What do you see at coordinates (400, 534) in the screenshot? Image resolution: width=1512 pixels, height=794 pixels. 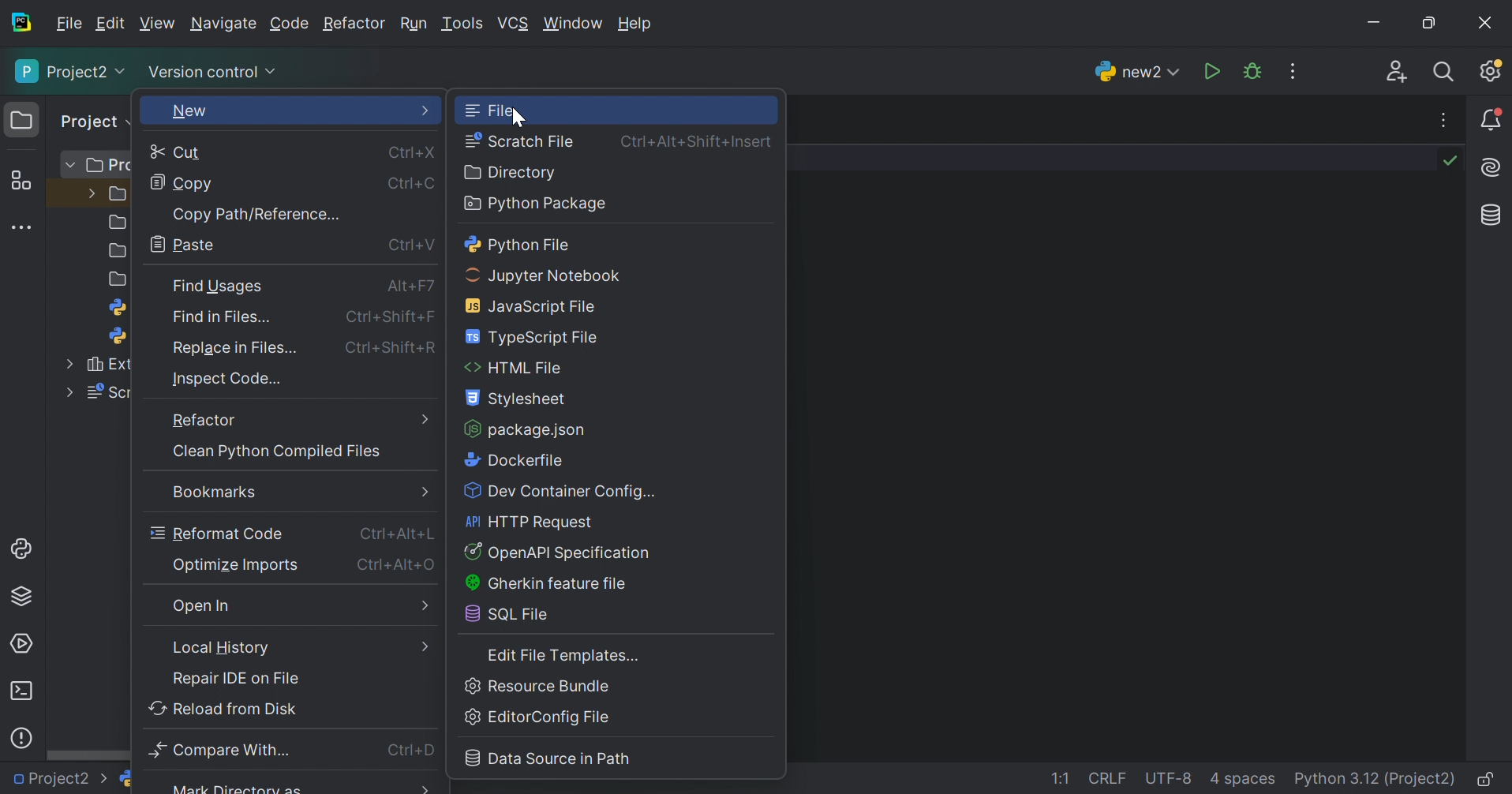 I see `Ctrl+Alt+L` at bounding box center [400, 534].